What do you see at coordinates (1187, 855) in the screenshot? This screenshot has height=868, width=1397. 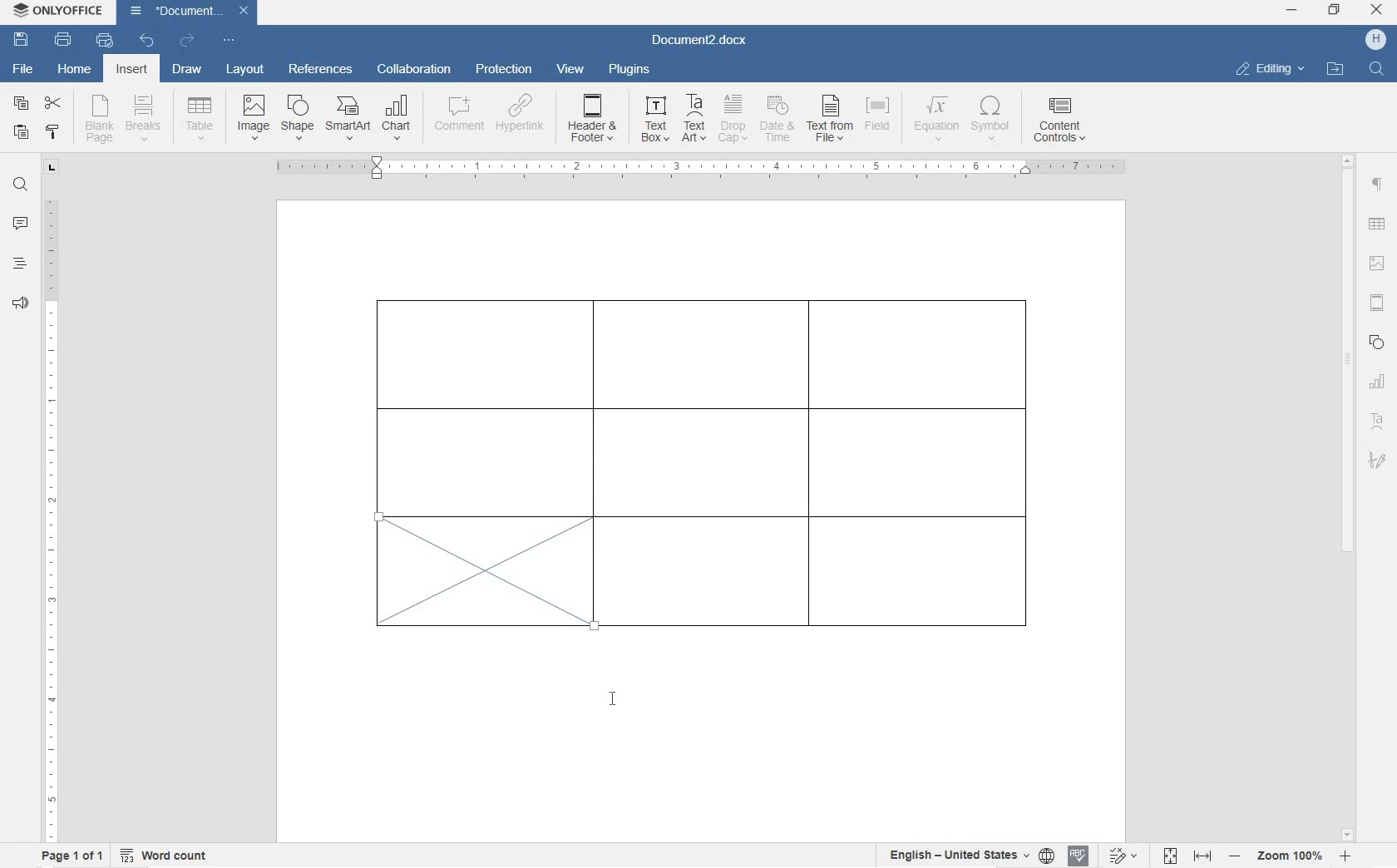 I see `fit to page or width` at bounding box center [1187, 855].